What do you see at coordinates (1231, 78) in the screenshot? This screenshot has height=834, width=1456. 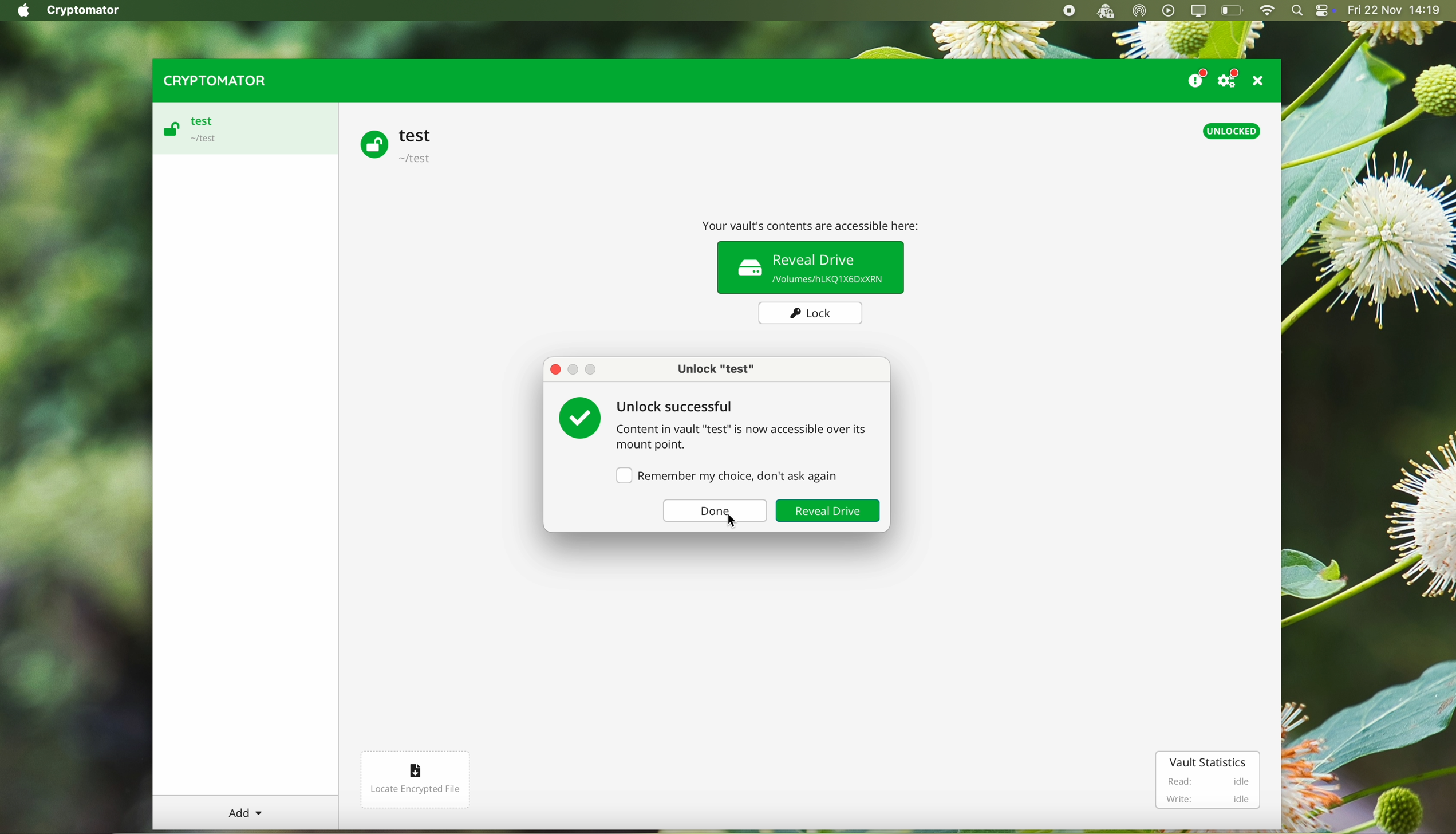 I see `settings` at bounding box center [1231, 78].